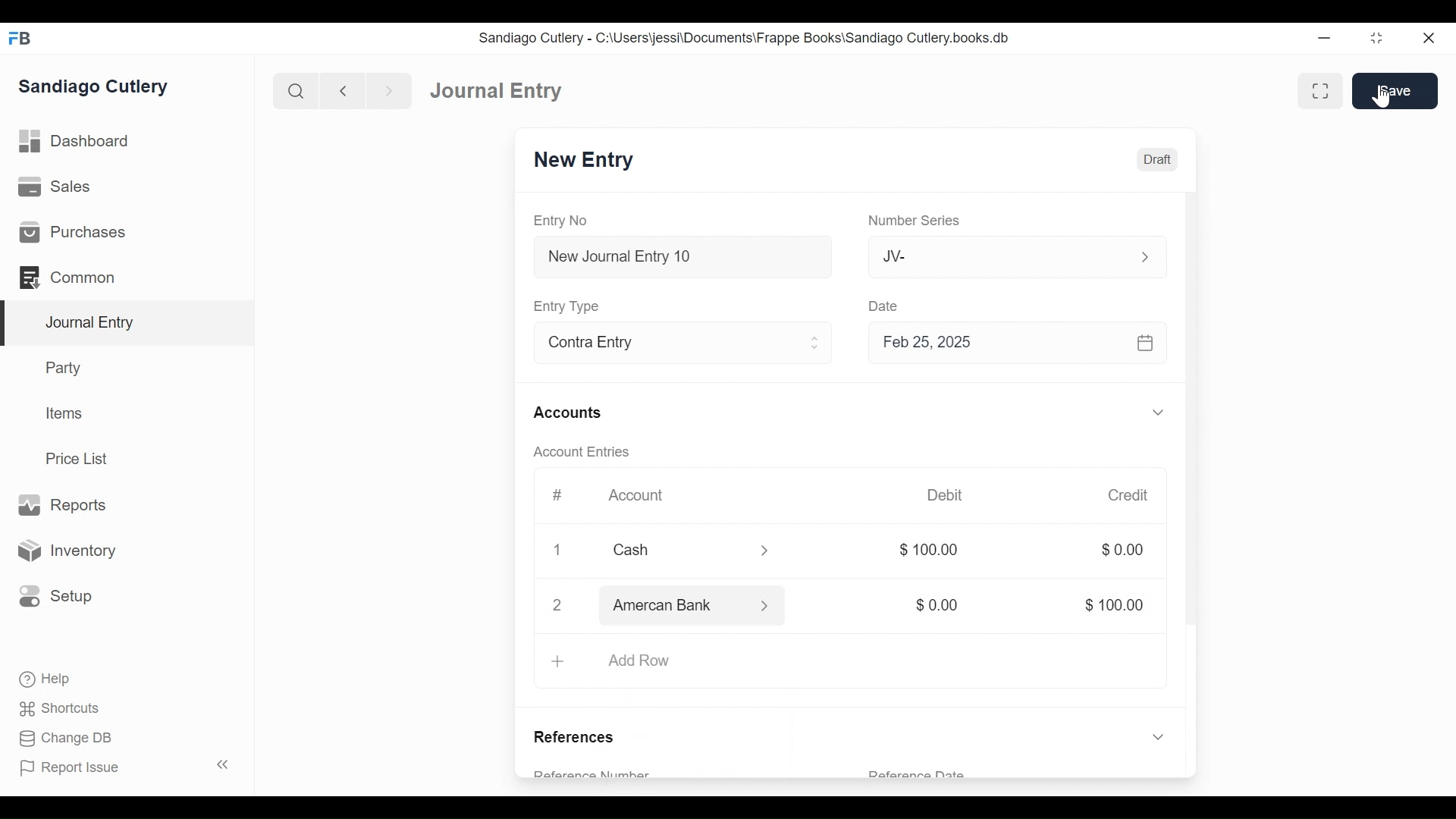  I want to click on Accounts, so click(570, 413).